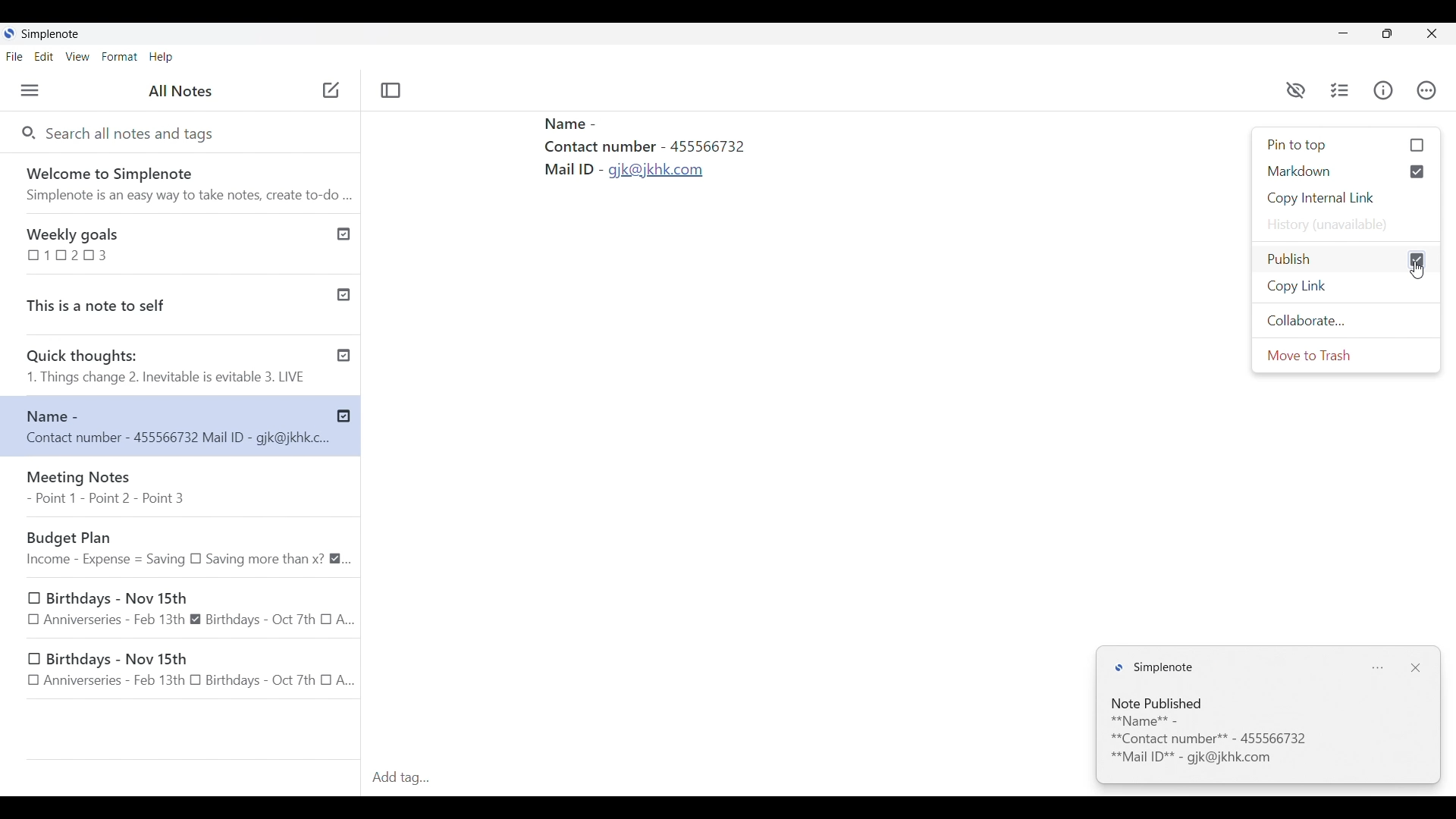 The width and height of the screenshot is (1456, 819). What do you see at coordinates (78, 57) in the screenshot?
I see `View menu` at bounding box center [78, 57].